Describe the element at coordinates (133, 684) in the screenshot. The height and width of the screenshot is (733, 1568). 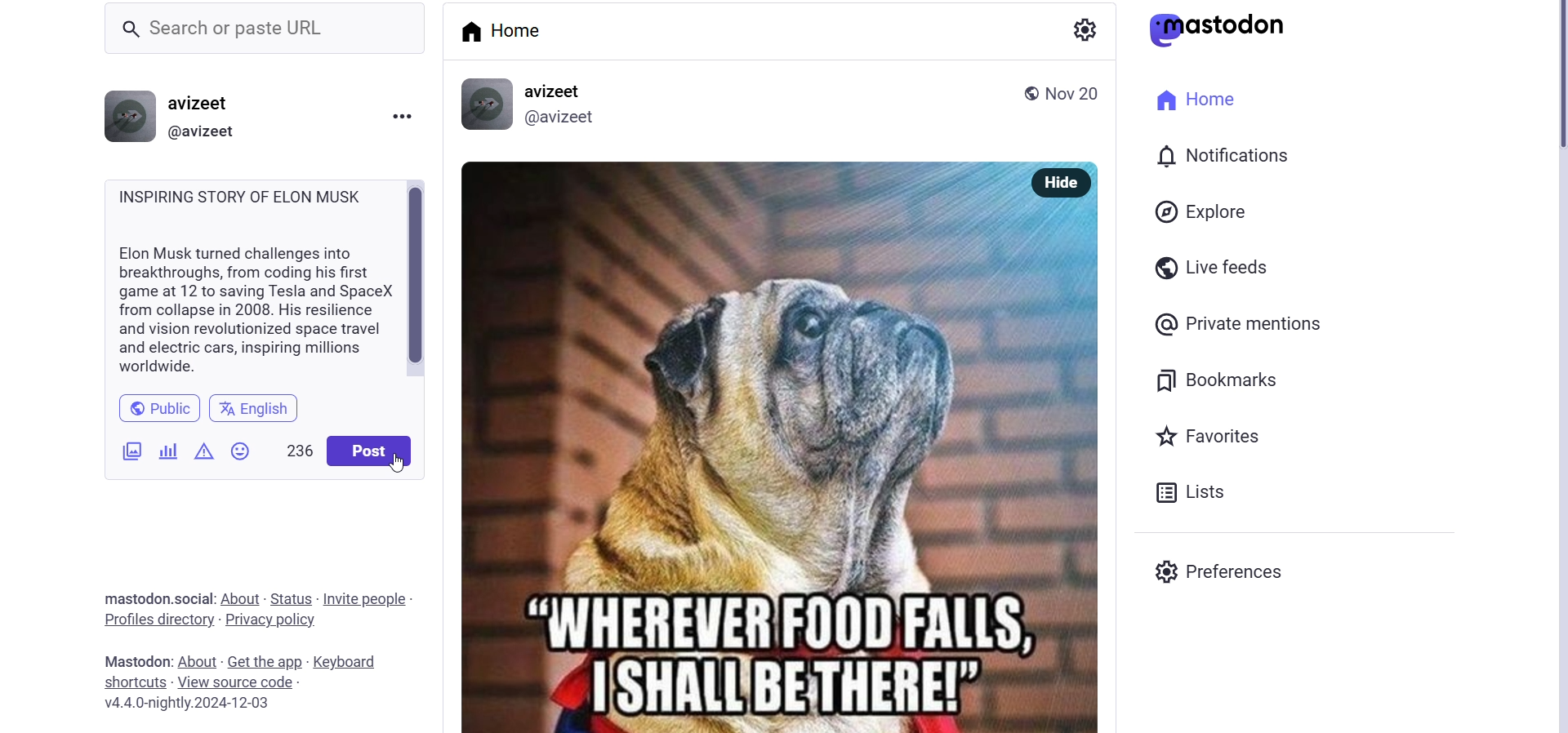
I see `shortcuts` at that location.